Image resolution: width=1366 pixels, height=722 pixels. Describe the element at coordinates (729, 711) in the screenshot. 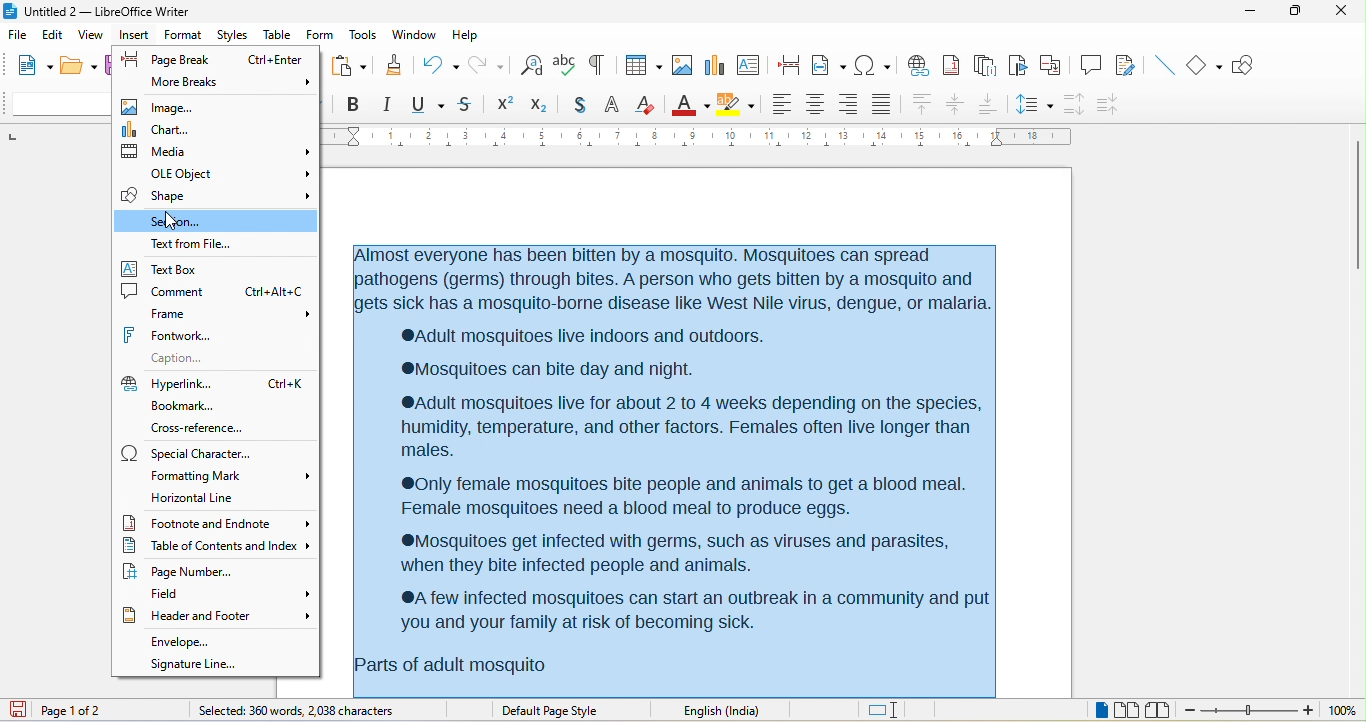

I see `text language` at that location.